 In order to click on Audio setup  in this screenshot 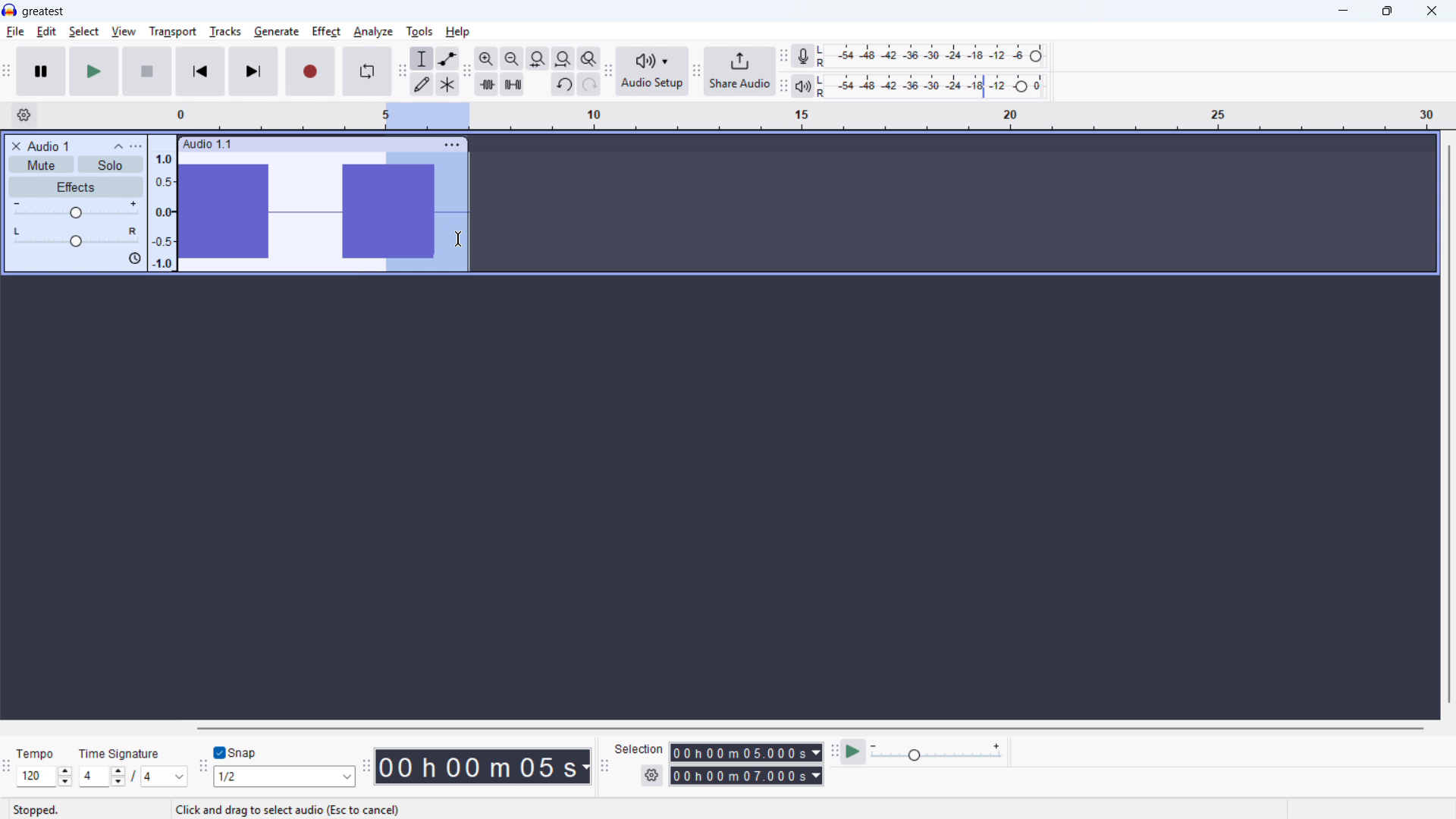, I will do `click(653, 72)`.